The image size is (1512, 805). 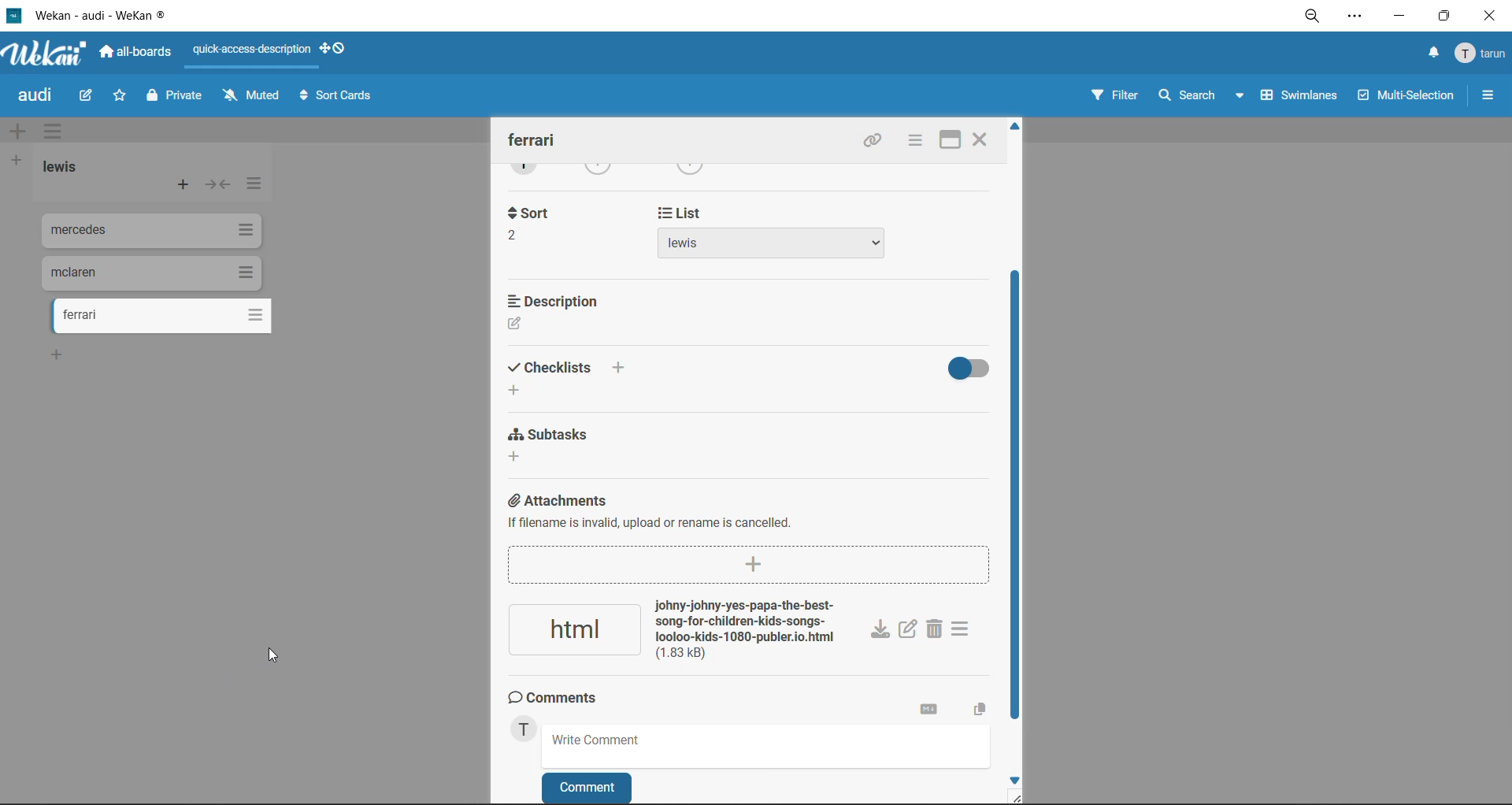 What do you see at coordinates (565, 313) in the screenshot?
I see `description` at bounding box center [565, 313].